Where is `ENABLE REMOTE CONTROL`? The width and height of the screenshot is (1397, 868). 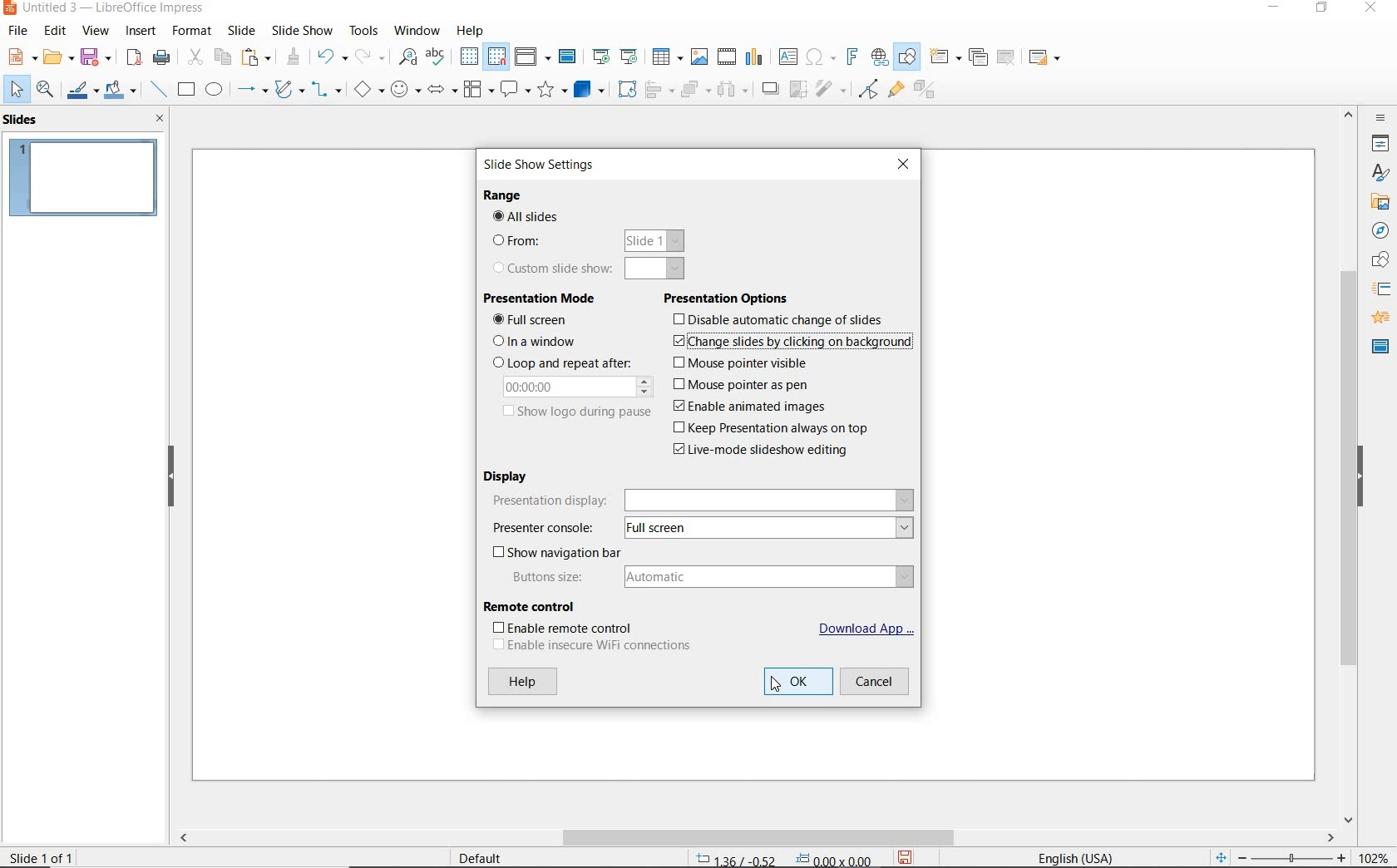 ENABLE REMOTE CONTROL is located at coordinates (562, 629).